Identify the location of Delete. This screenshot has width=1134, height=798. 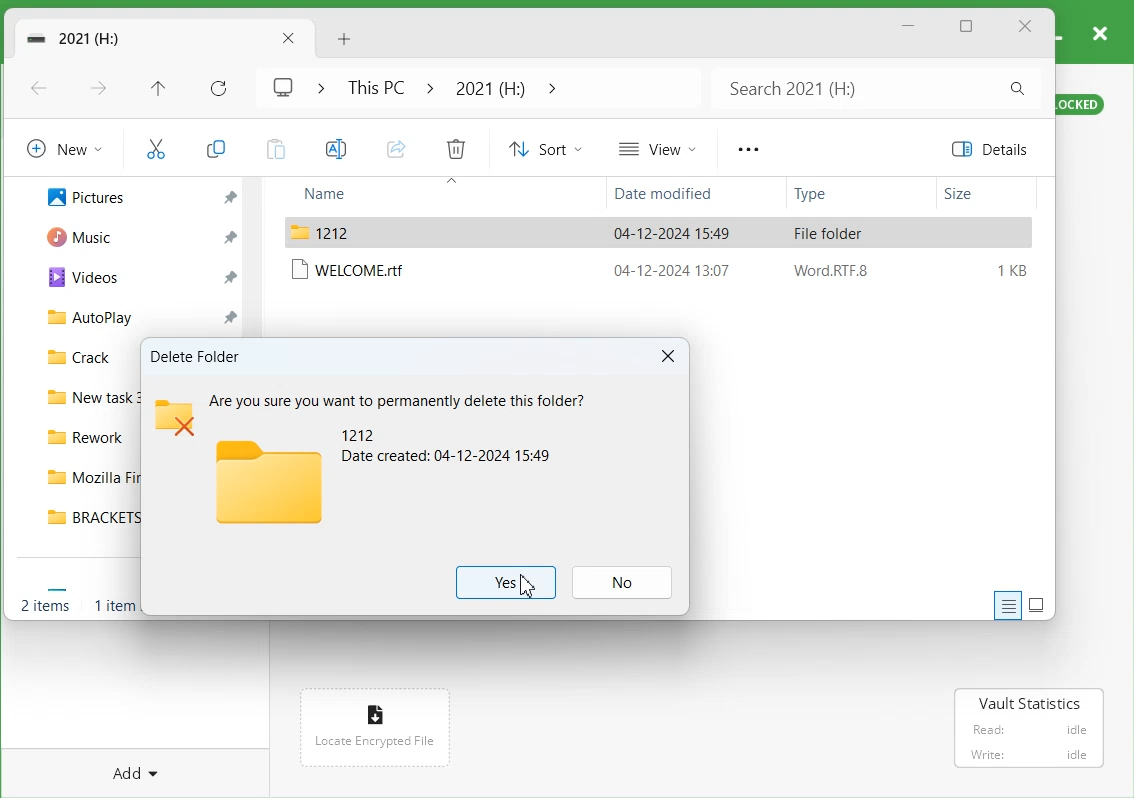
(456, 148).